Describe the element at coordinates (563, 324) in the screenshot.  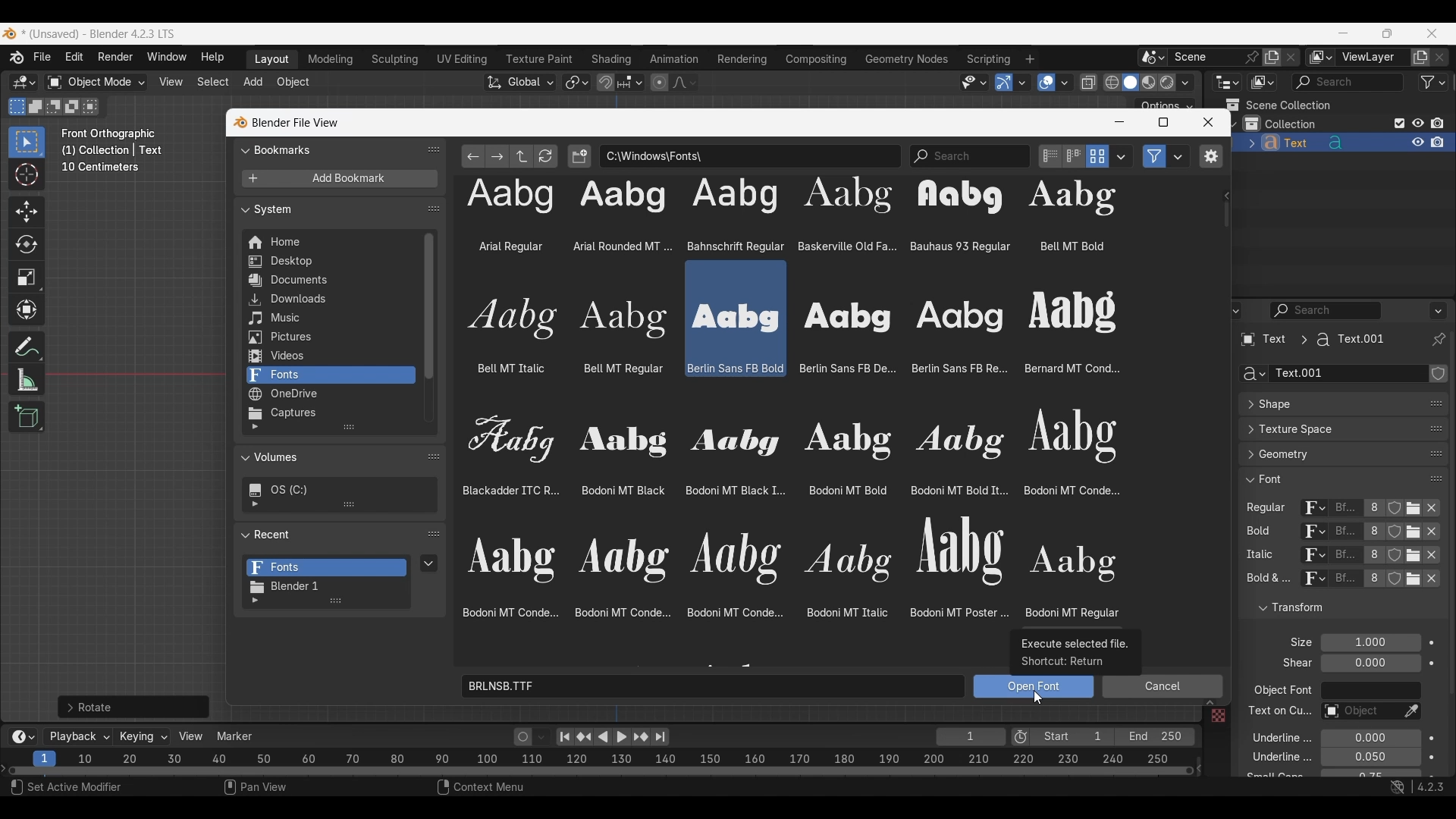
I see `font` at that location.